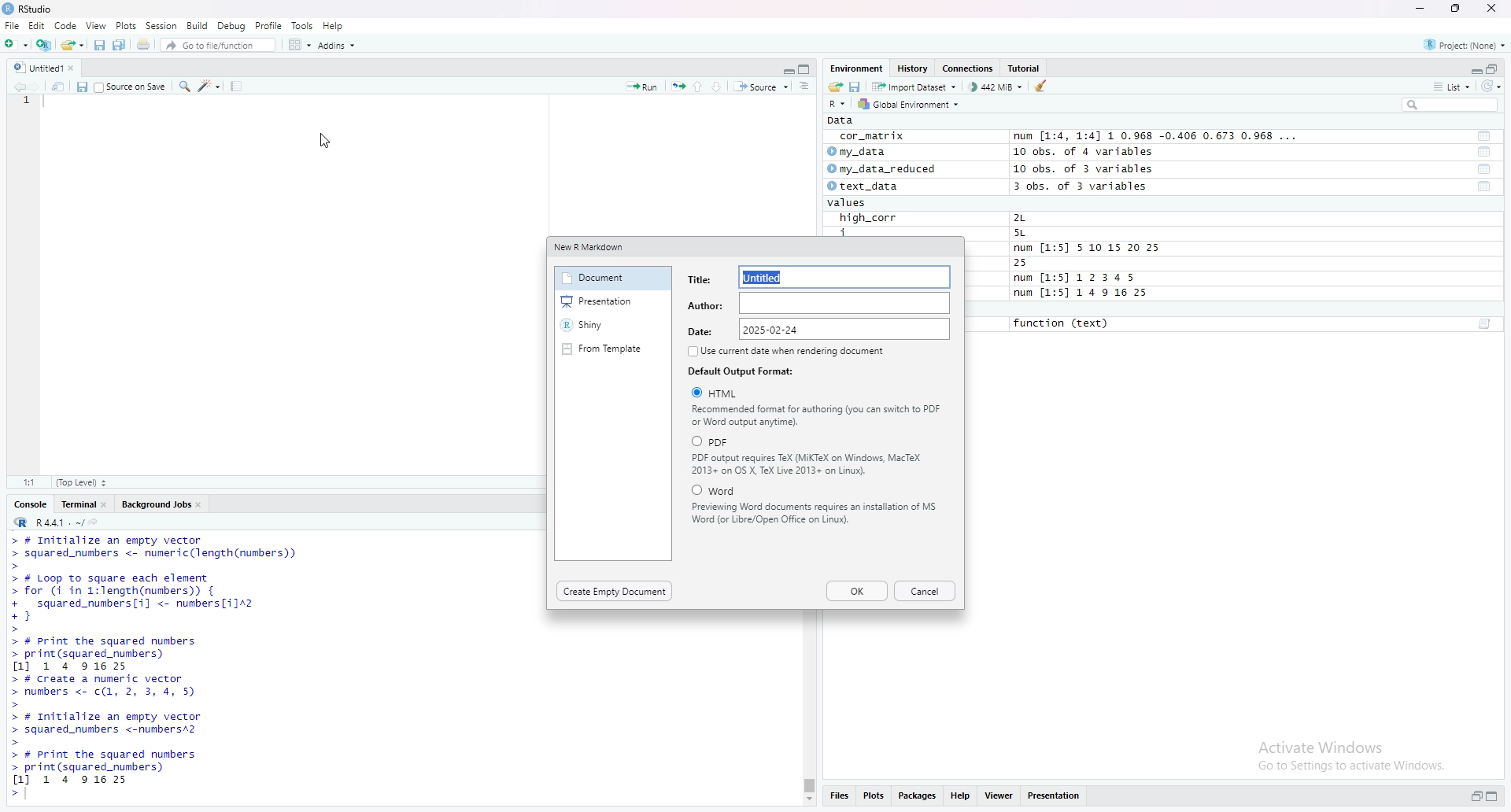 The height and width of the screenshot is (812, 1511). Describe the element at coordinates (201, 504) in the screenshot. I see `close` at that location.